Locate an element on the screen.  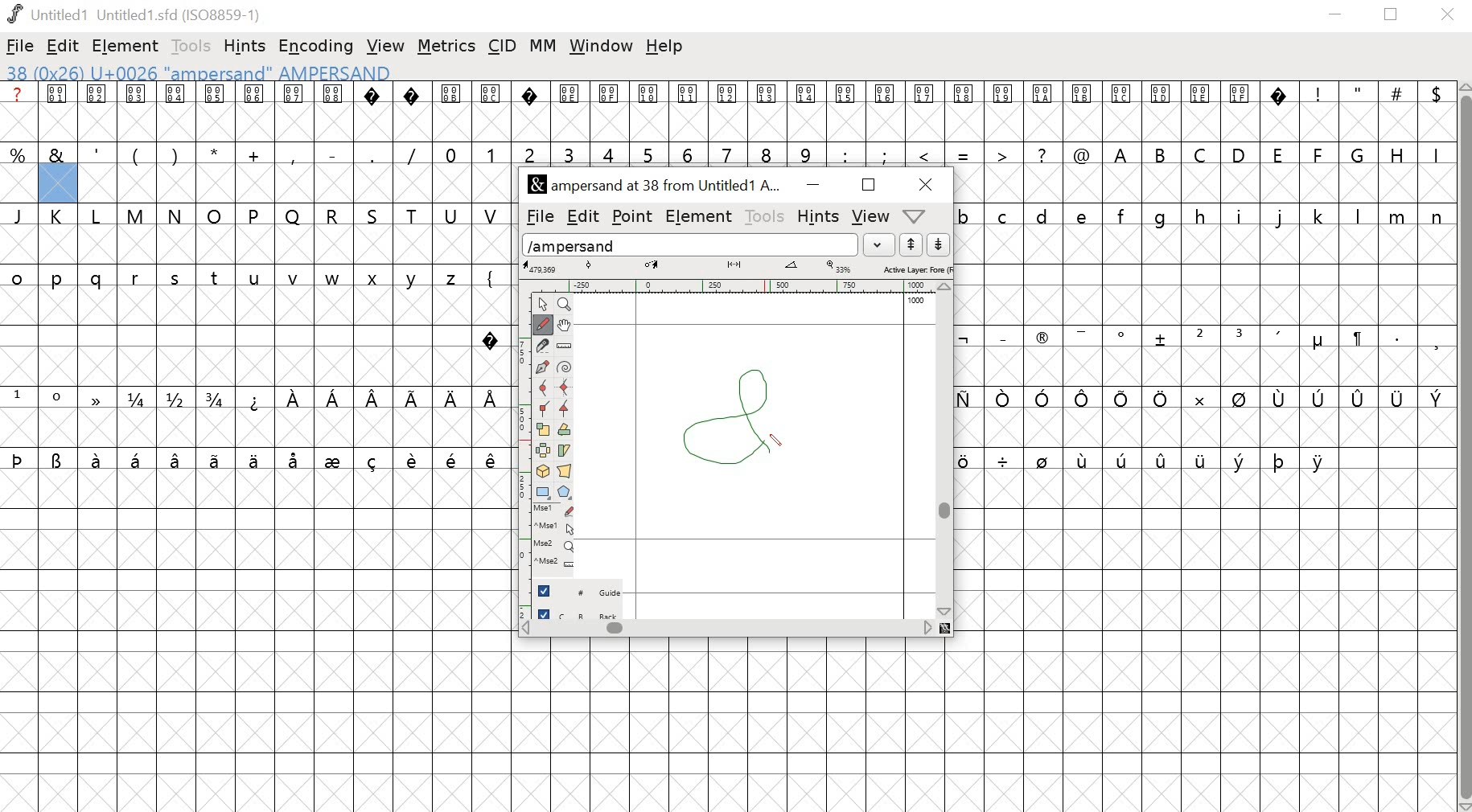
symbol is located at coordinates (333, 397).